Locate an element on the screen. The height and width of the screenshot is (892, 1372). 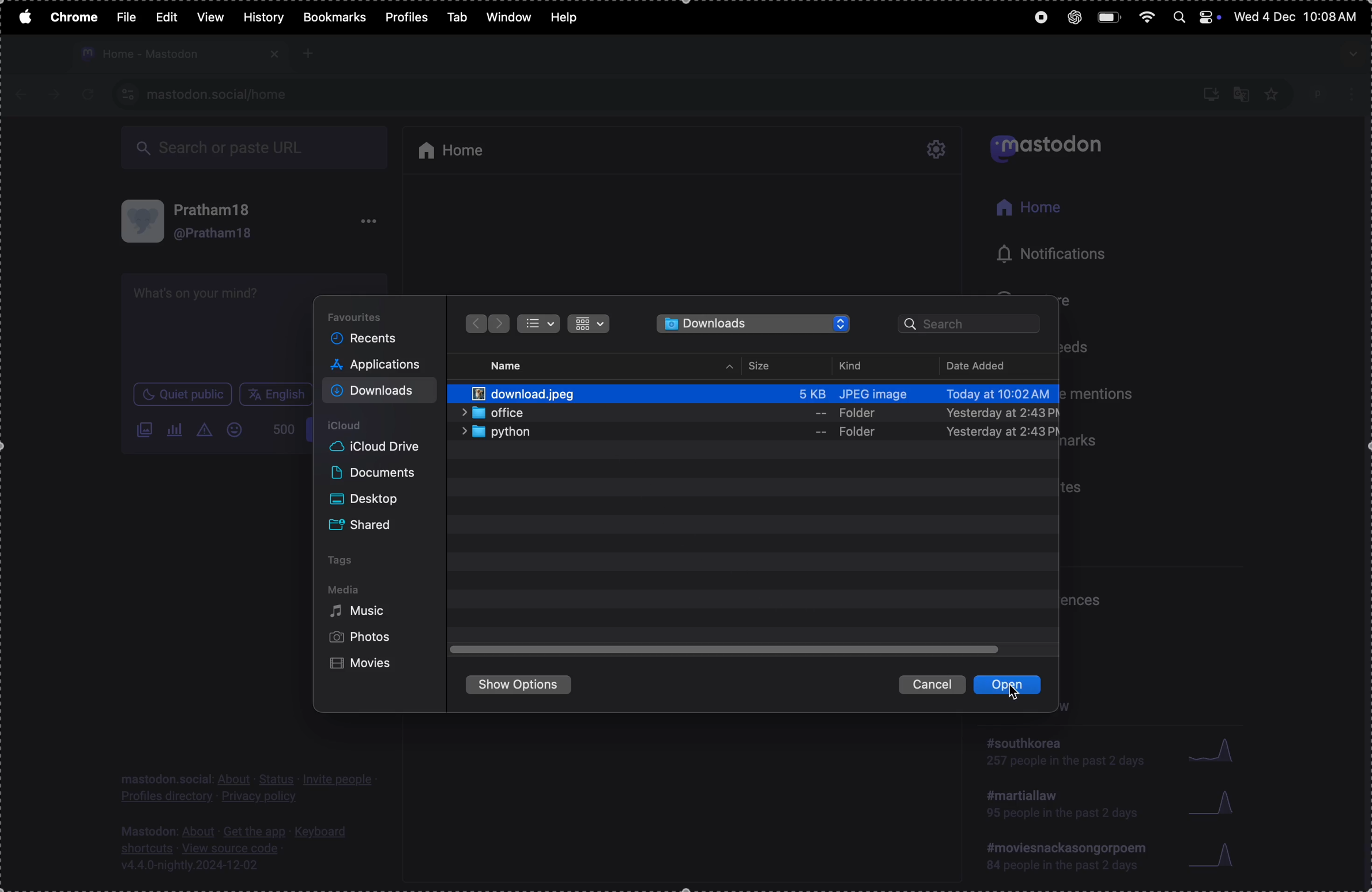
tags is located at coordinates (346, 560).